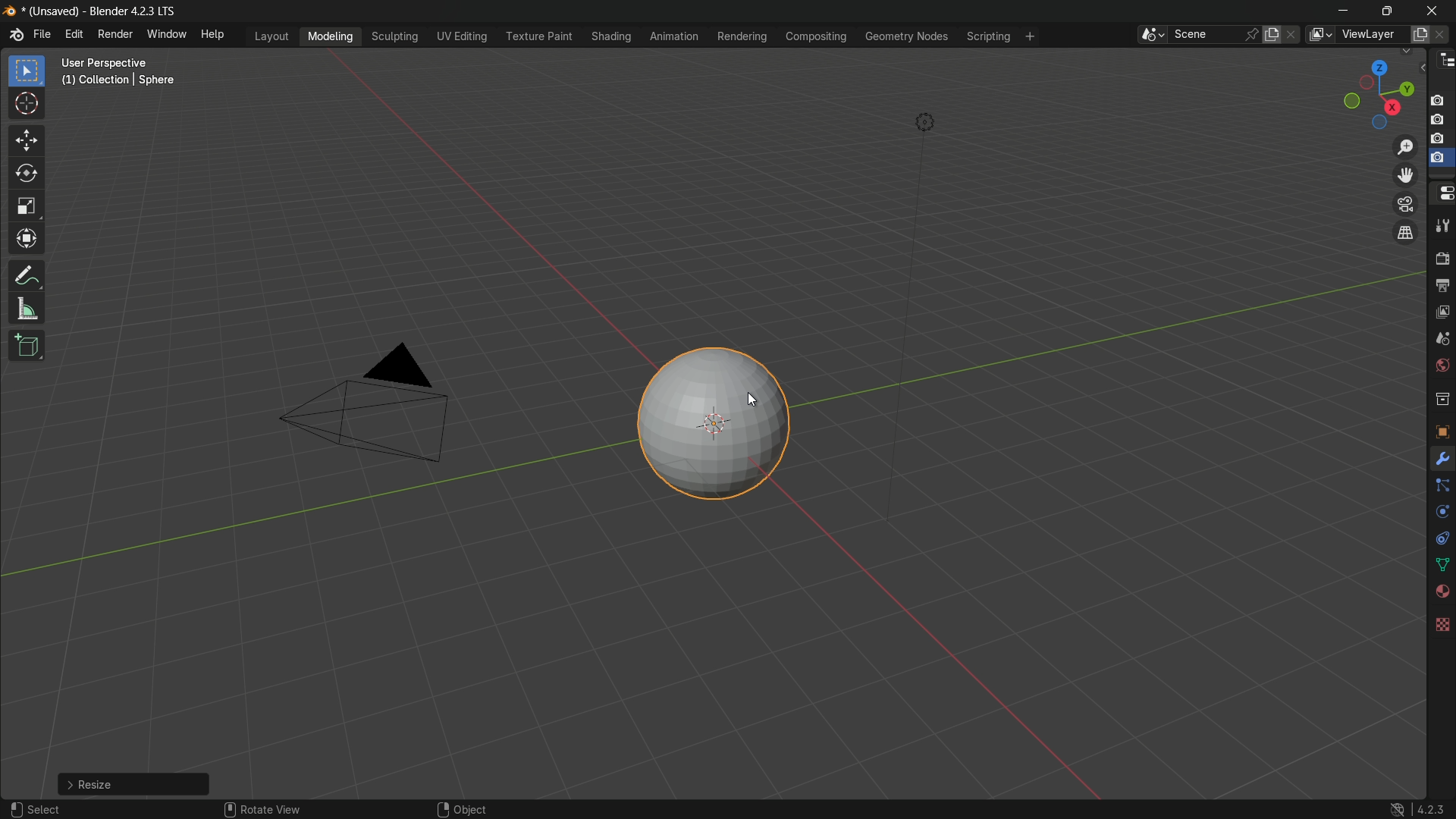 Image resolution: width=1456 pixels, height=819 pixels. What do you see at coordinates (114, 34) in the screenshot?
I see `render menu` at bounding box center [114, 34].